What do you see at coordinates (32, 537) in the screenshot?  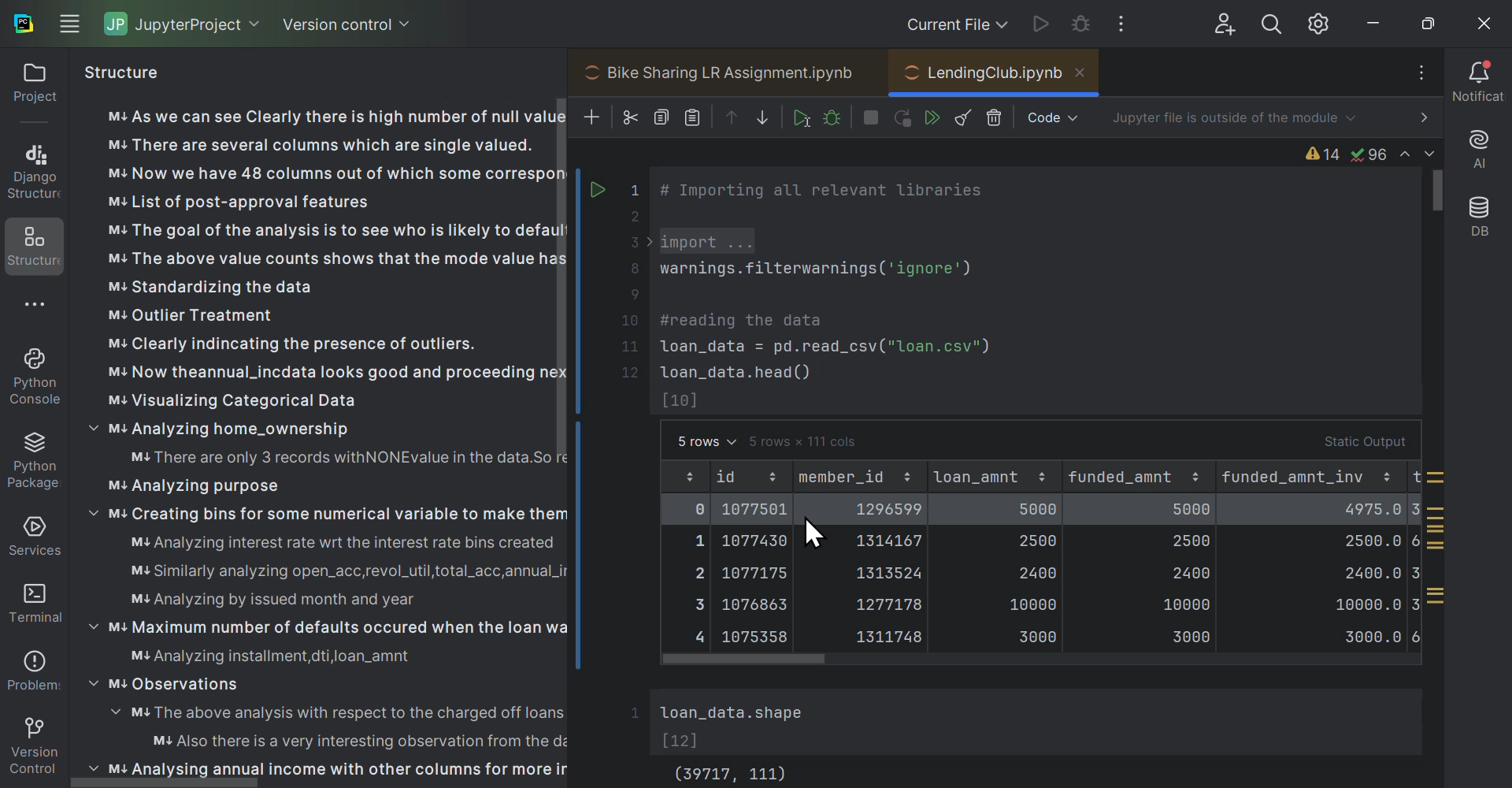 I see `Services` at bounding box center [32, 537].